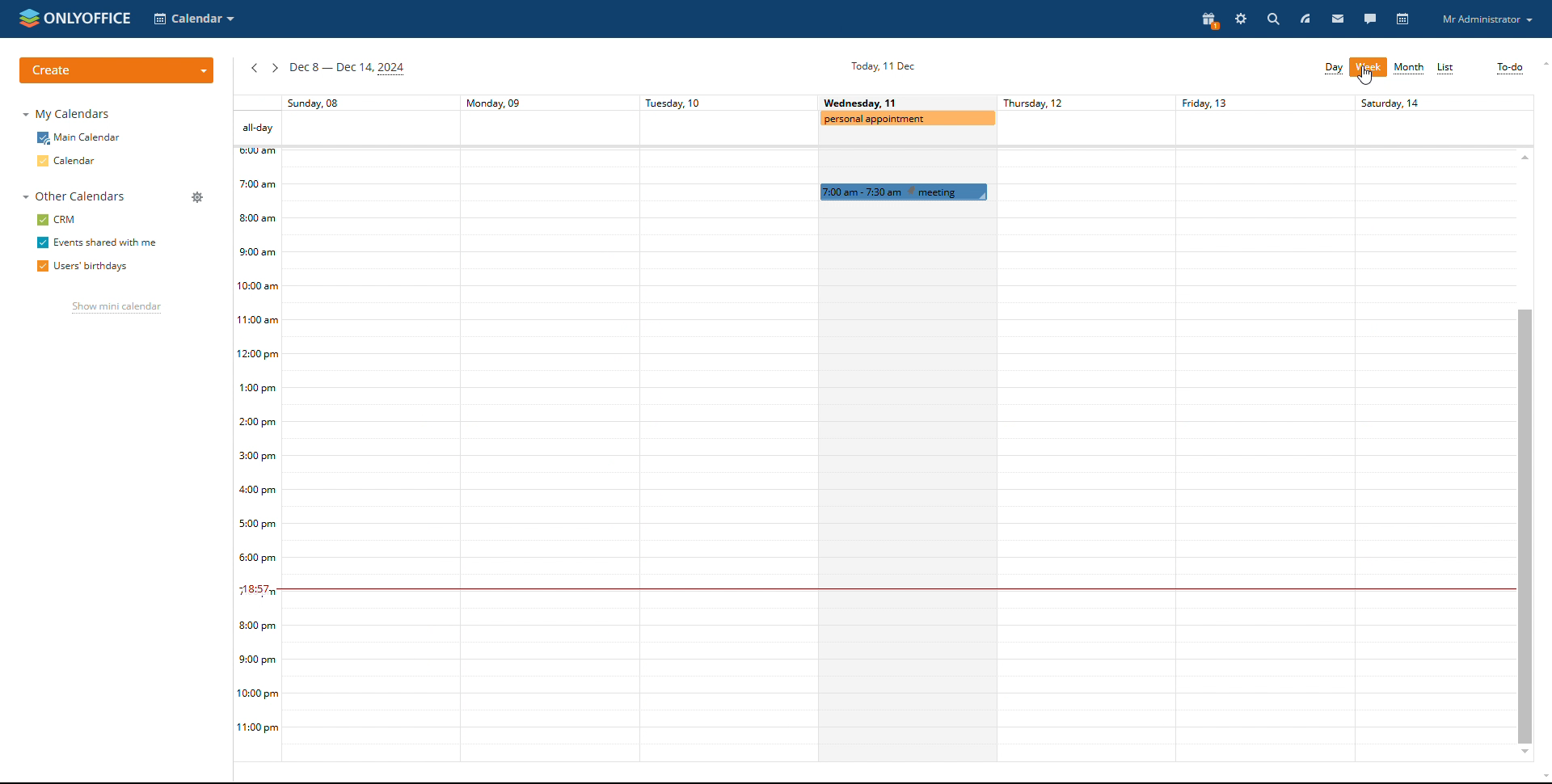  What do you see at coordinates (1241, 18) in the screenshot?
I see `settings` at bounding box center [1241, 18].